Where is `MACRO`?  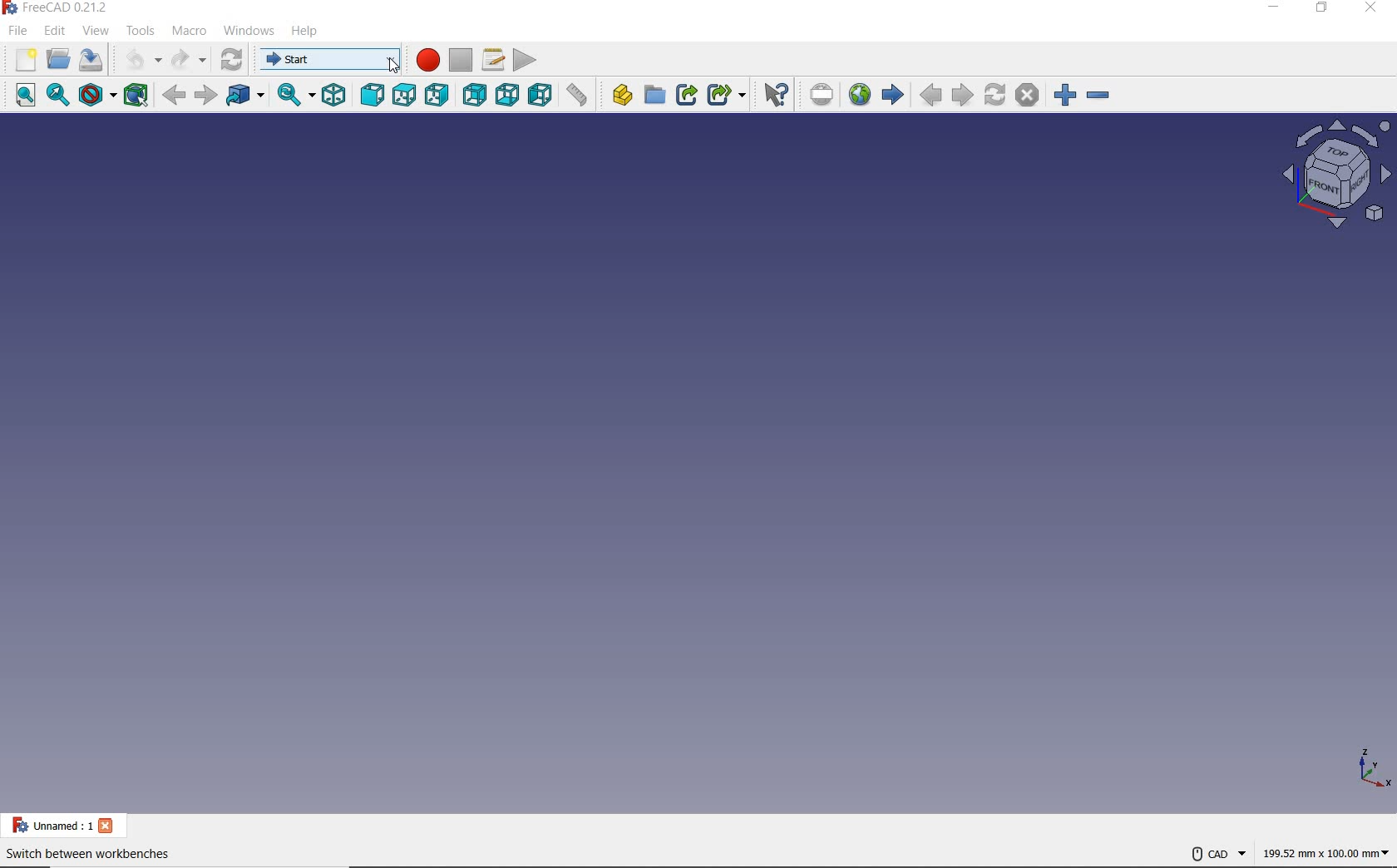
MACRO is located at coordinates (189, 33).